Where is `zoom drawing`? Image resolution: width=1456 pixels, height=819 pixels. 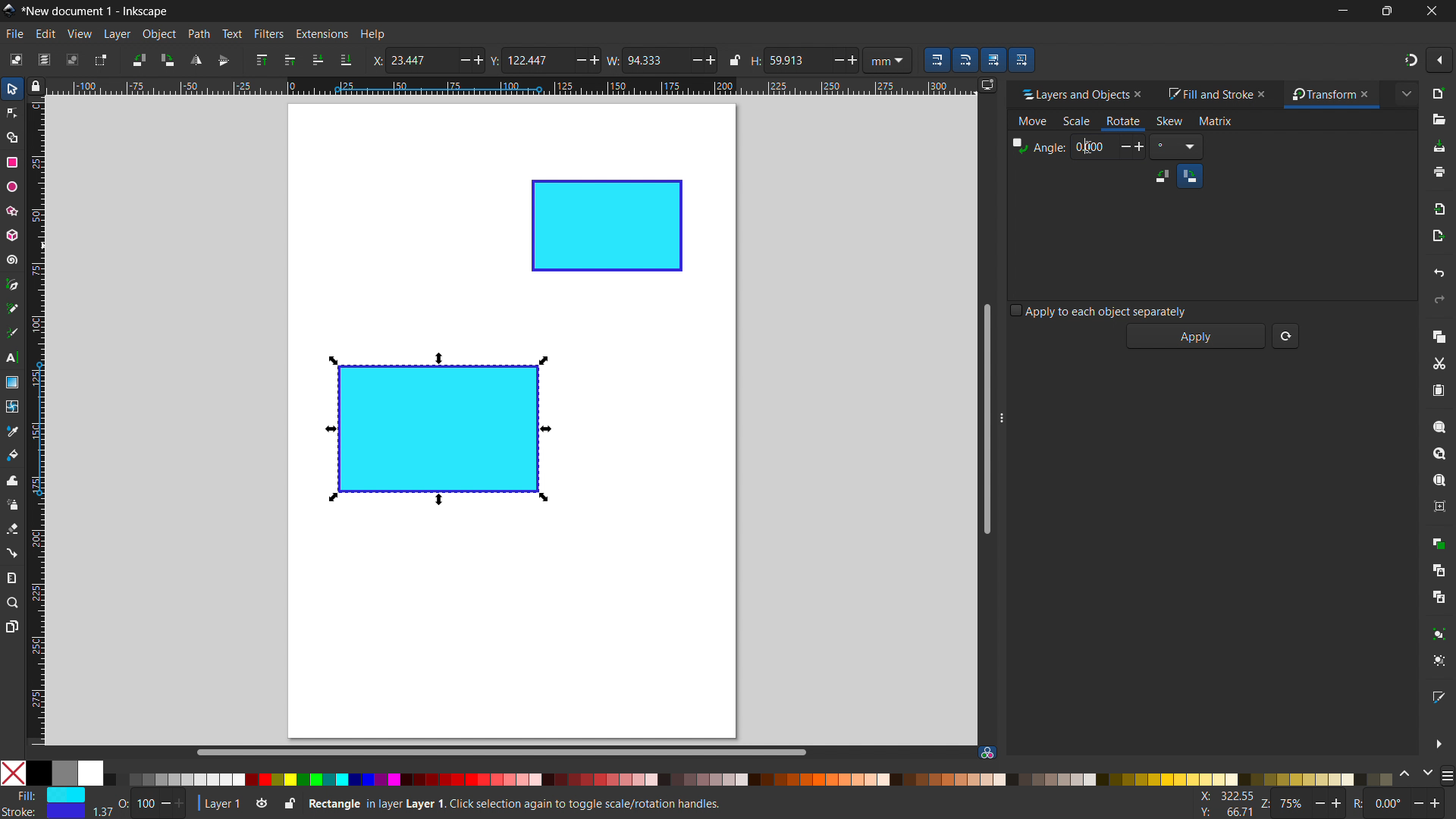 zoom drawing is located at coordinates (1439, 453).